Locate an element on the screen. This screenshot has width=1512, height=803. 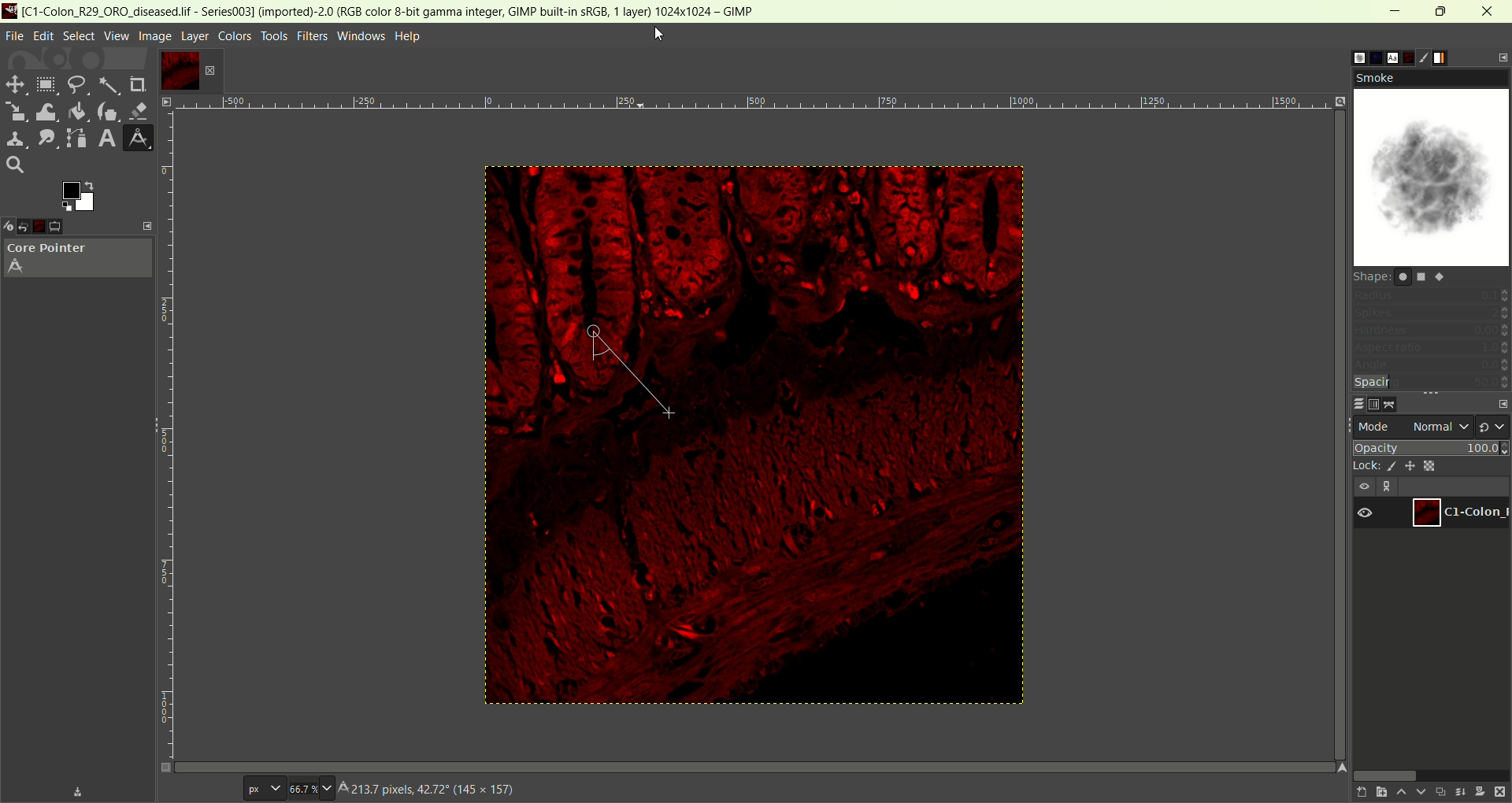
device status is located at coordinates (9, 227).